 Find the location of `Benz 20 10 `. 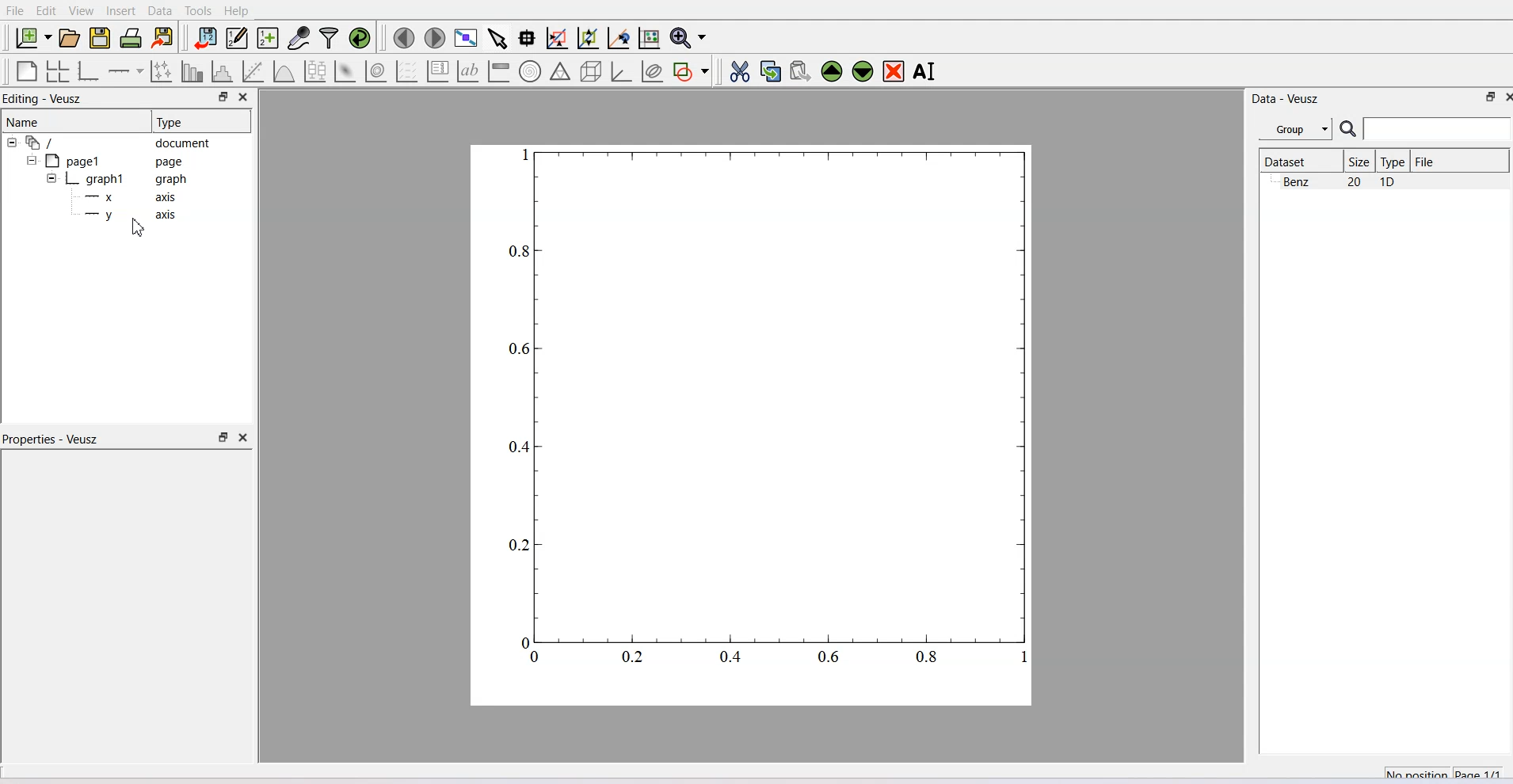

Benz 20 10  is located at coordinates (1340, 181).